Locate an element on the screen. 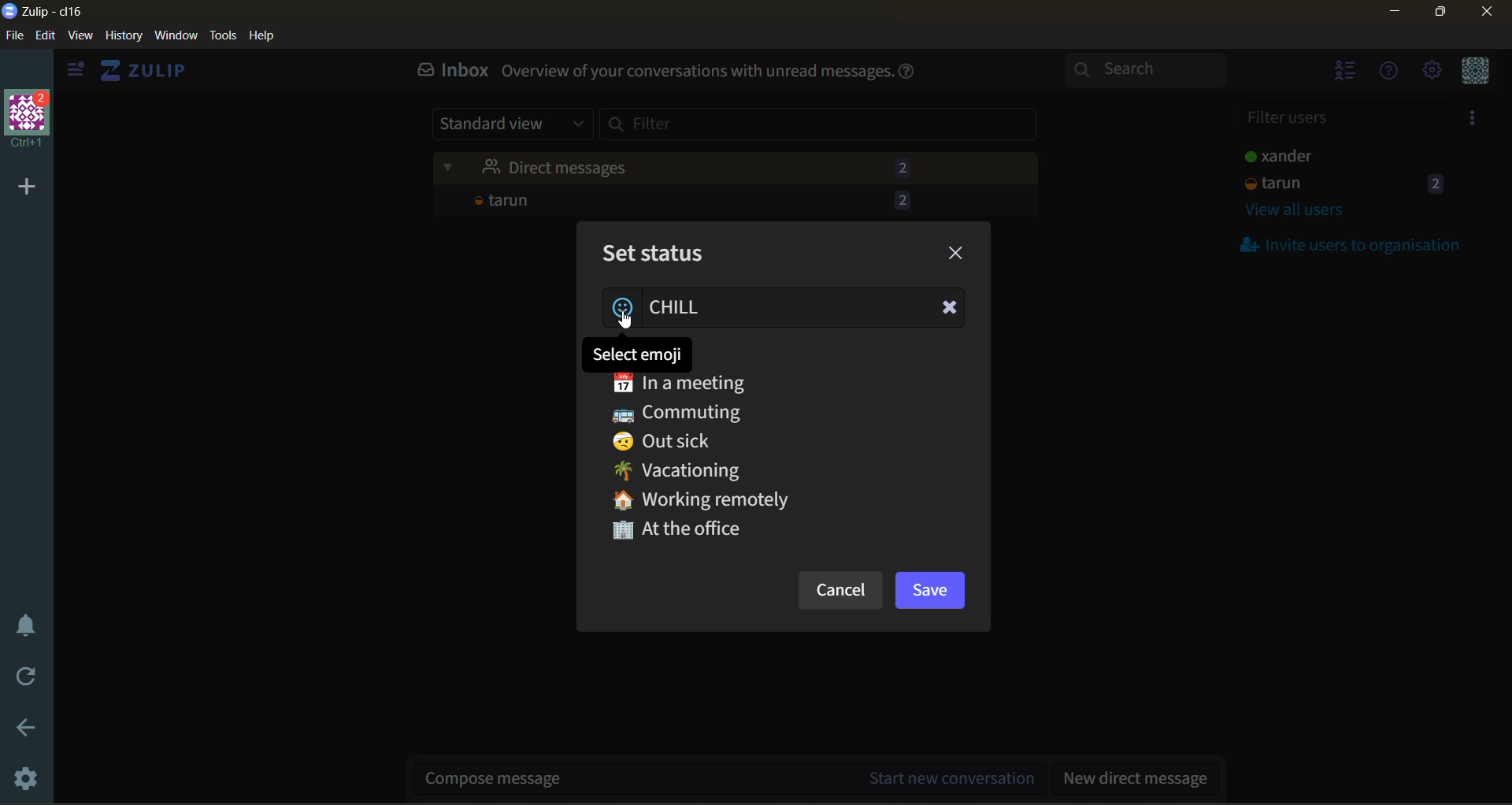  hide sidebar  is located at coordinates (76, 69).